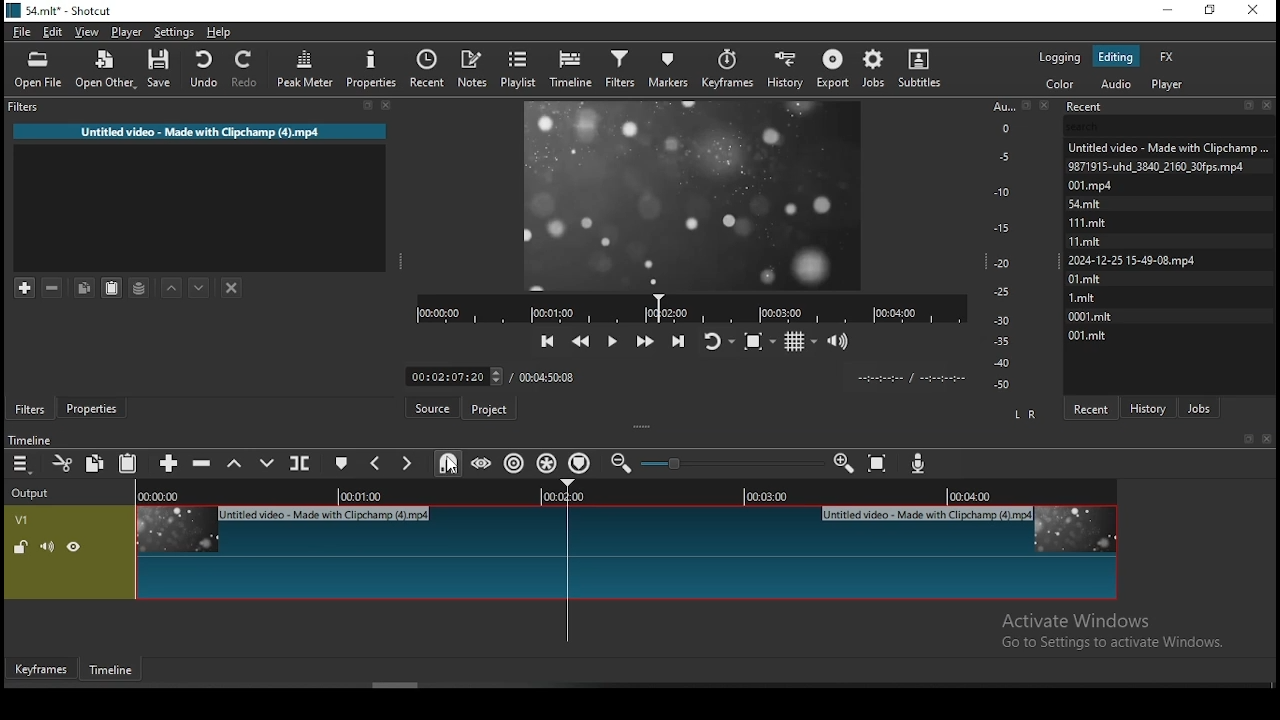  I want to click on redo, so click(250, 70).